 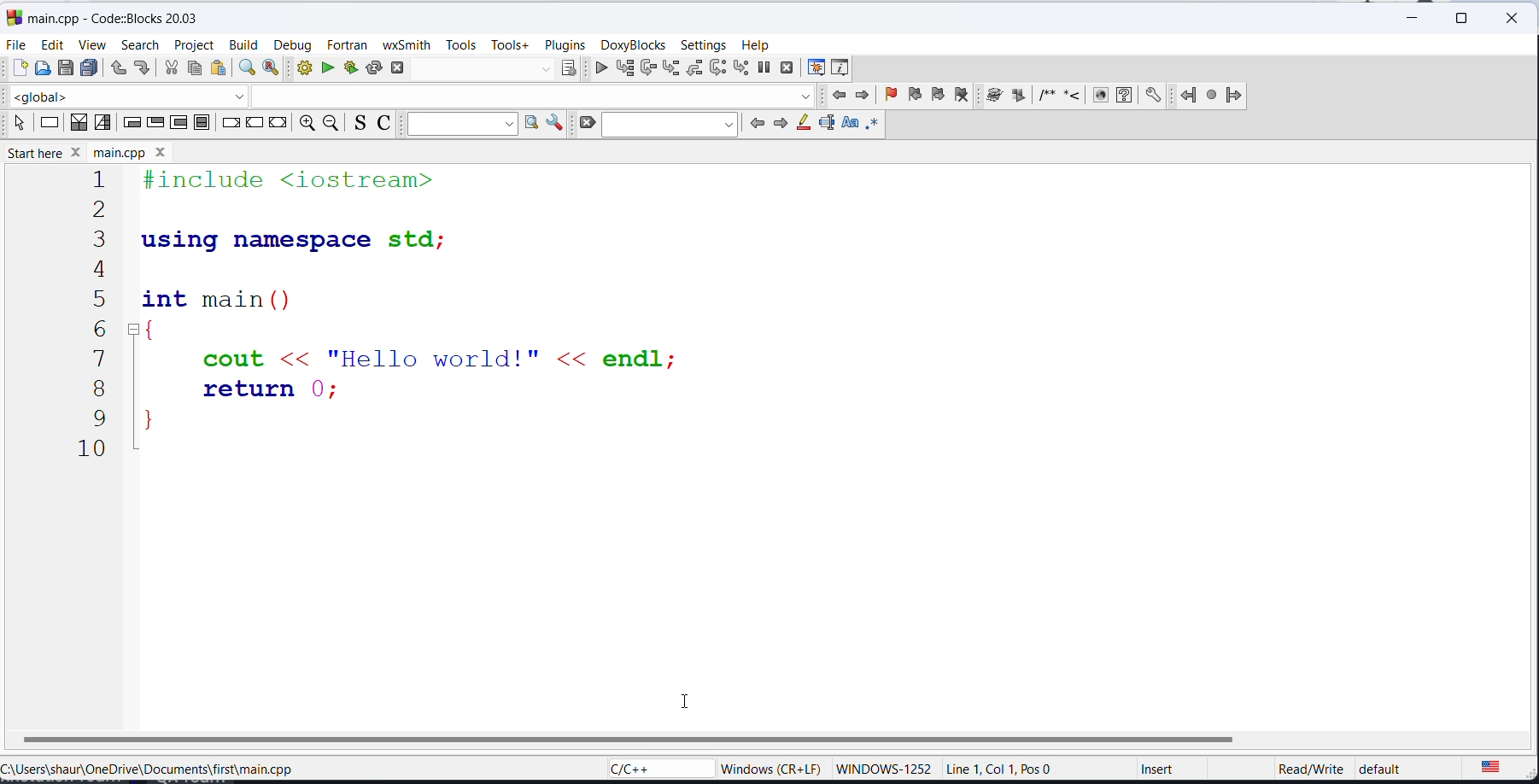 I want to click on edit, so click(x=51, y=43).